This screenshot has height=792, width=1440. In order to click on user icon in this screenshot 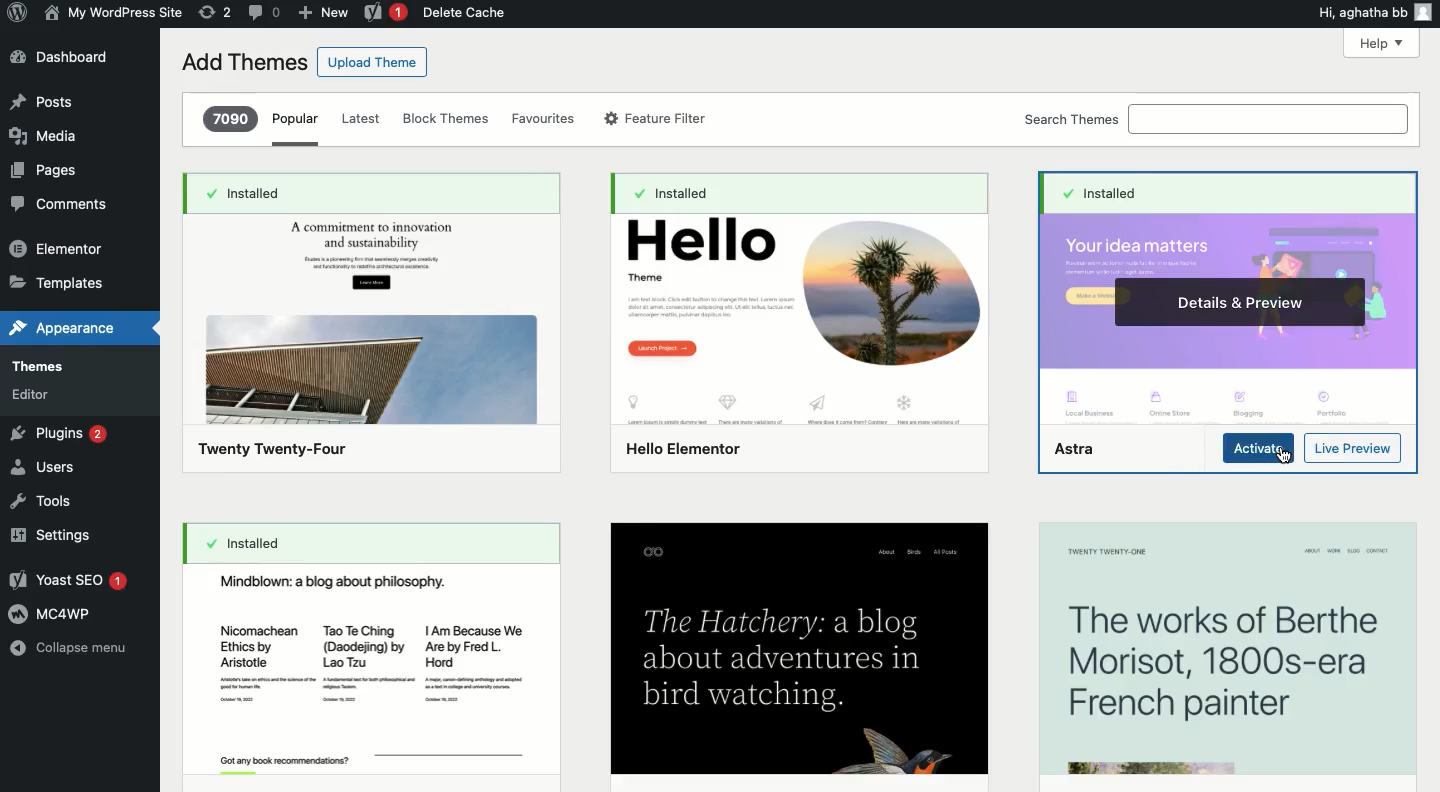, I will do `click(1427, 12)`.